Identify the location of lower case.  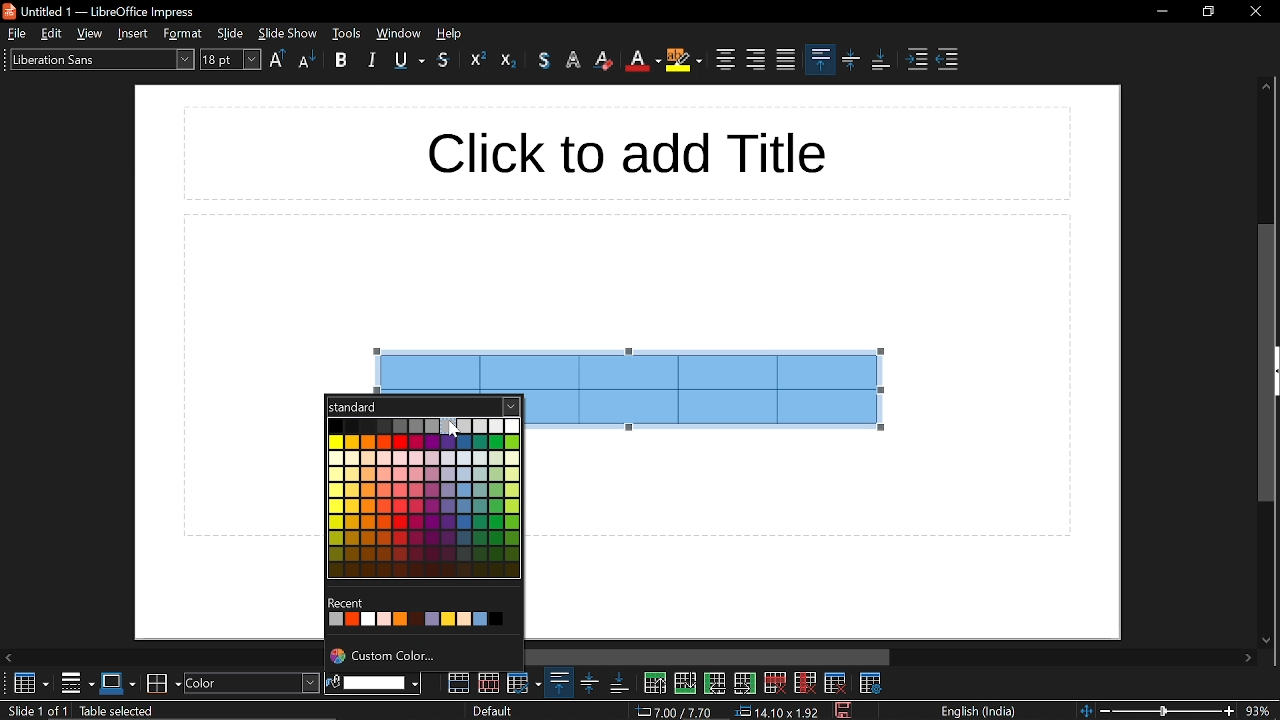
(309, 59).